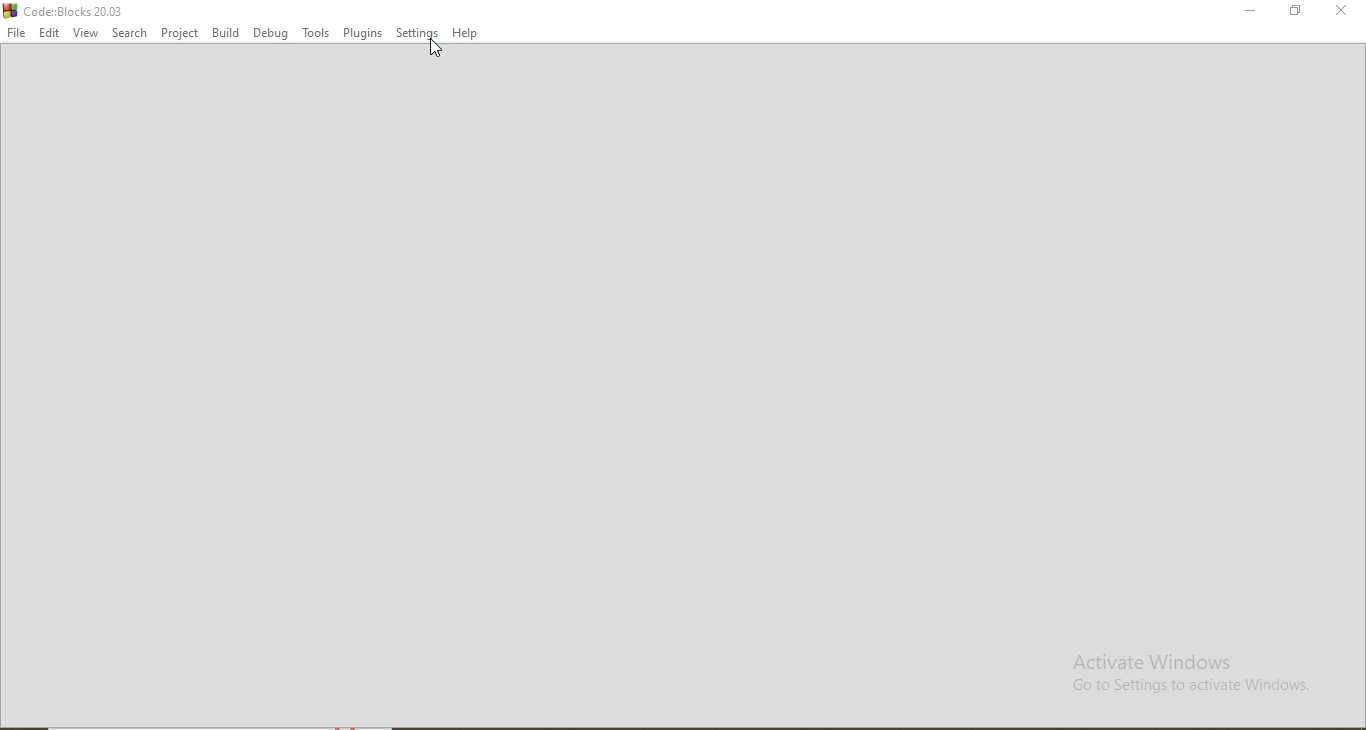 The height and width of the screenshot is (730, 1366). Describe the element at coordinates (50, 31) in the screenshot. I see `Edit ` at that location.